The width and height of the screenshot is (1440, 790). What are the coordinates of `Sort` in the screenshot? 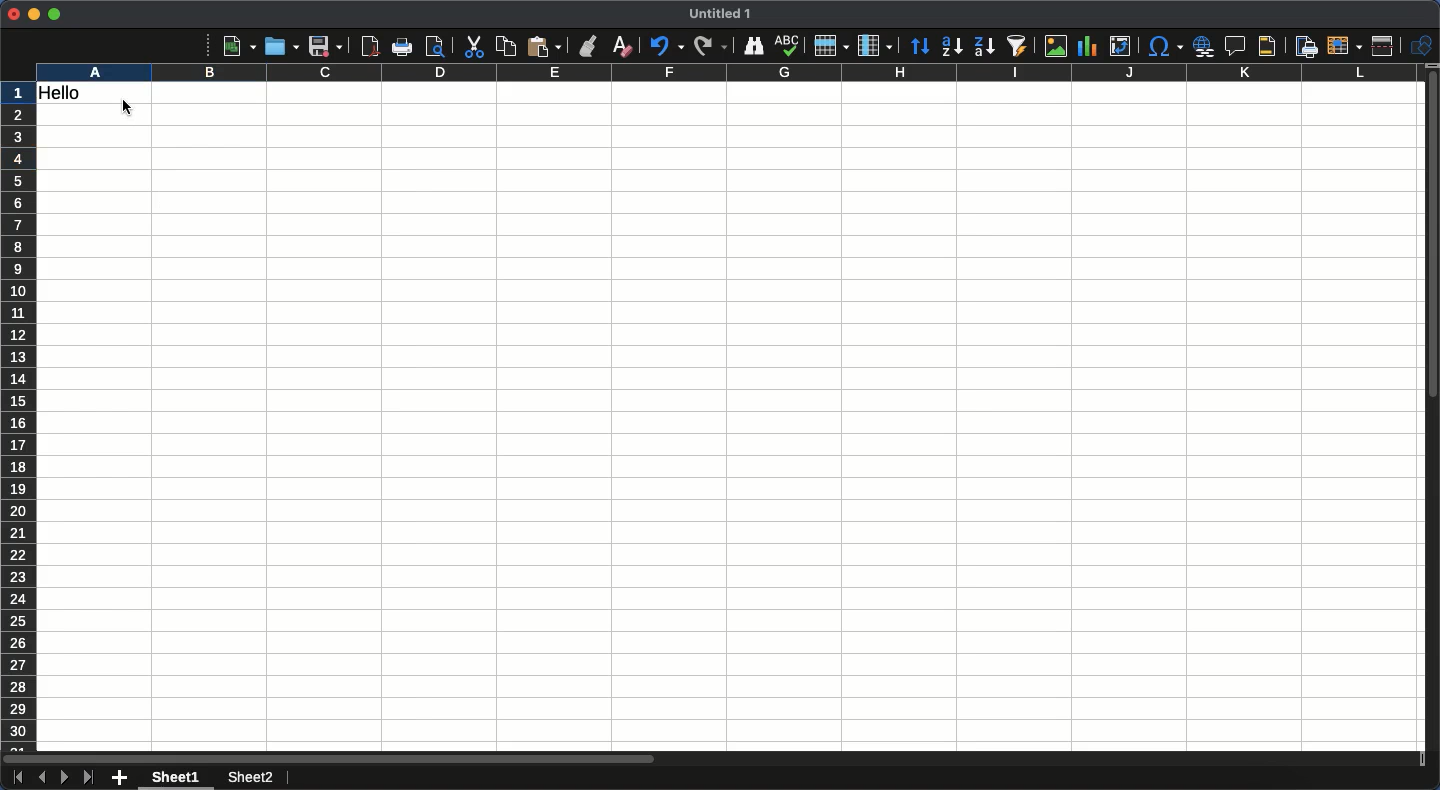 It's located at (921, 48).